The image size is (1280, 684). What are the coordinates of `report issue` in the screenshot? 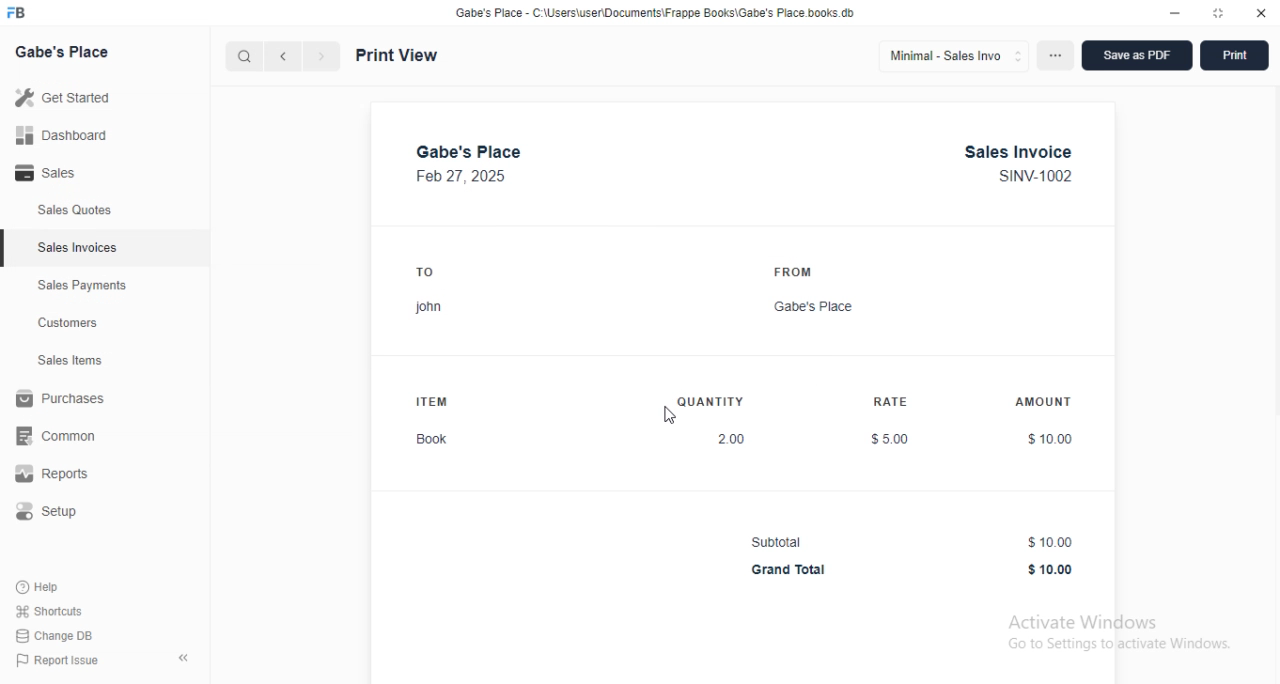 It's located at (57, 660).